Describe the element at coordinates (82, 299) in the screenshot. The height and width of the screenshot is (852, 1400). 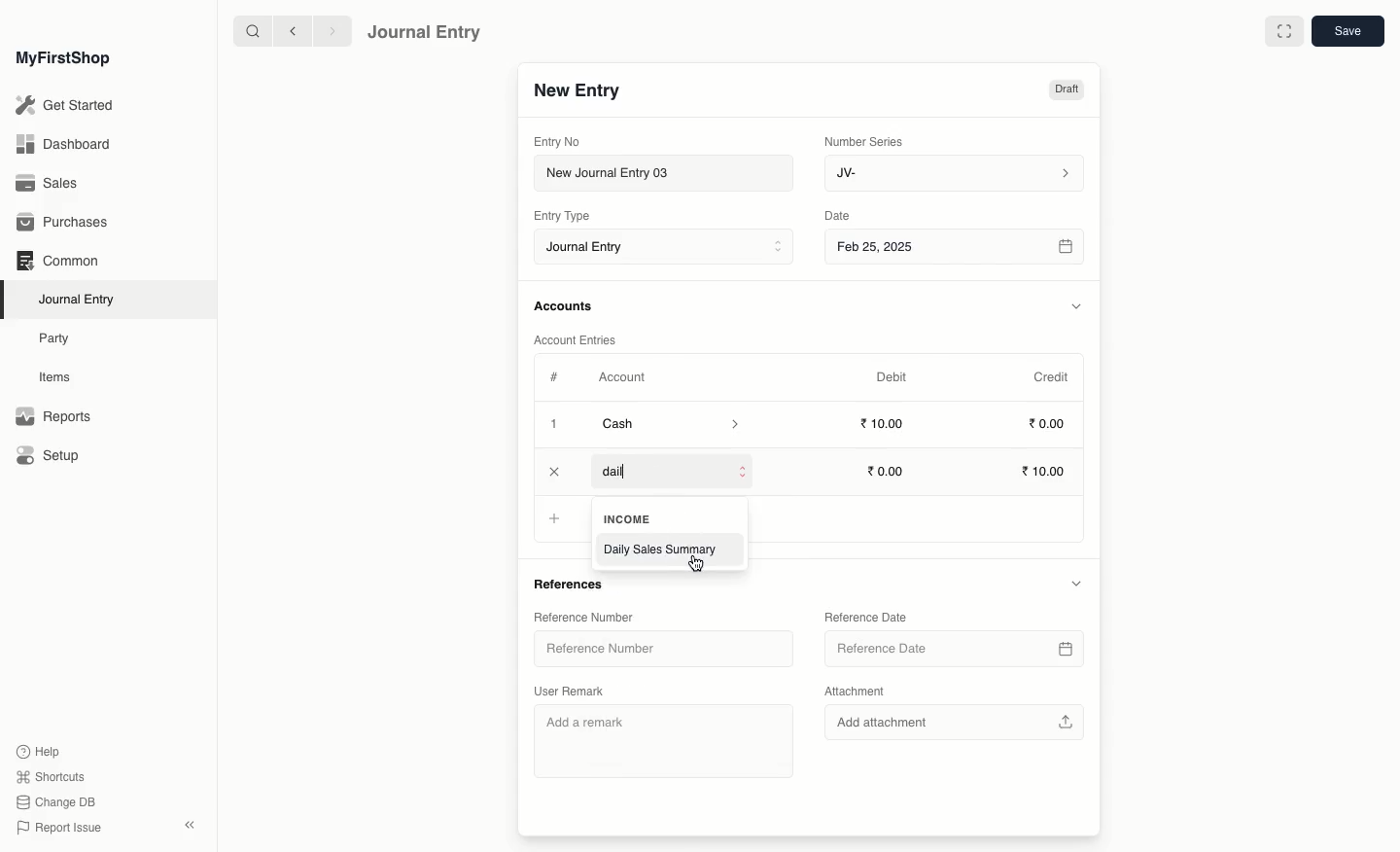
I see `Journal Entry` at that location.